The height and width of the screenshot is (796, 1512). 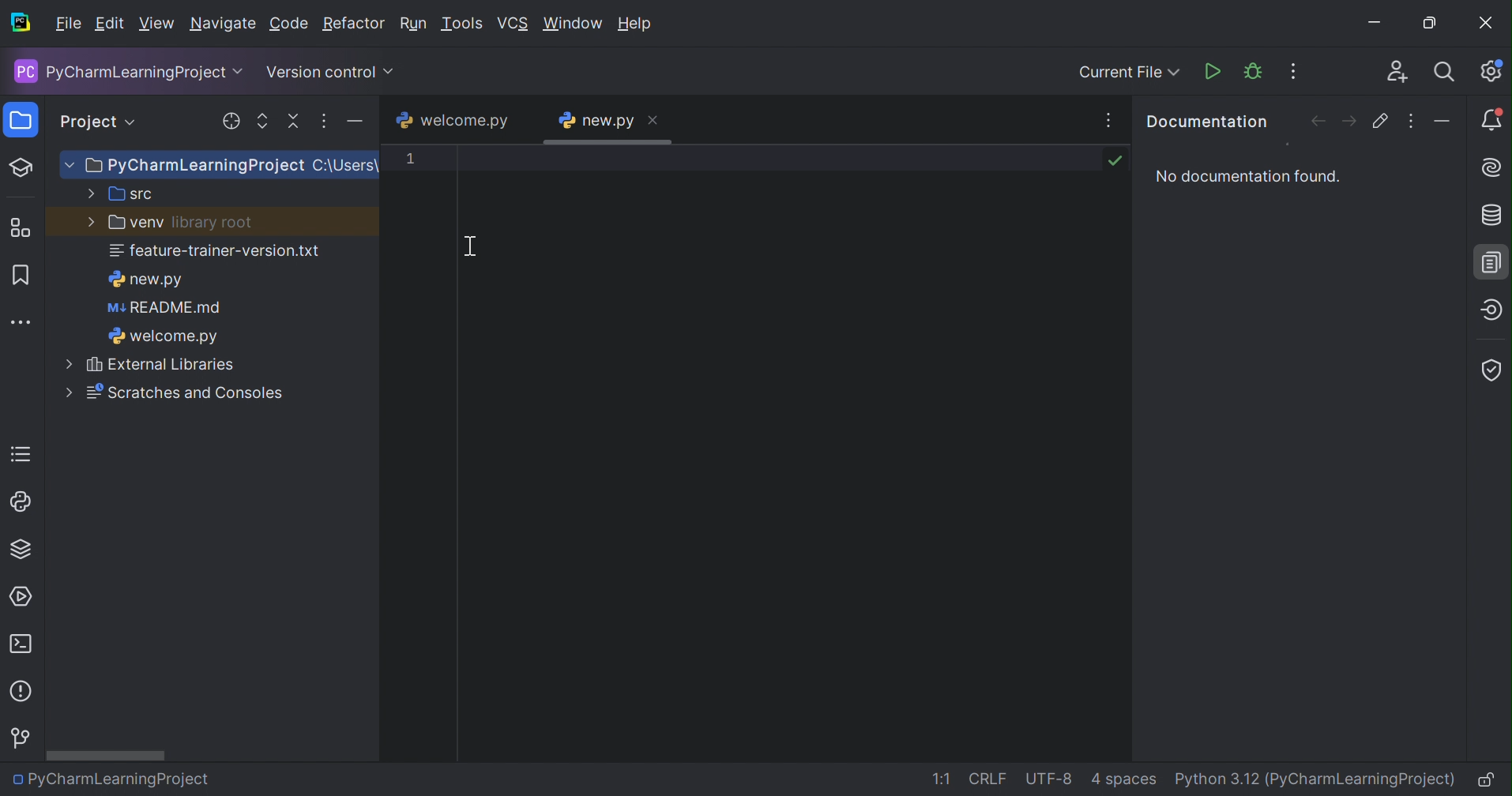 What do you see at coordinates (1491, 782) in the screenshot?
I see `Make file read-only` at bounding box center [1491, 782].